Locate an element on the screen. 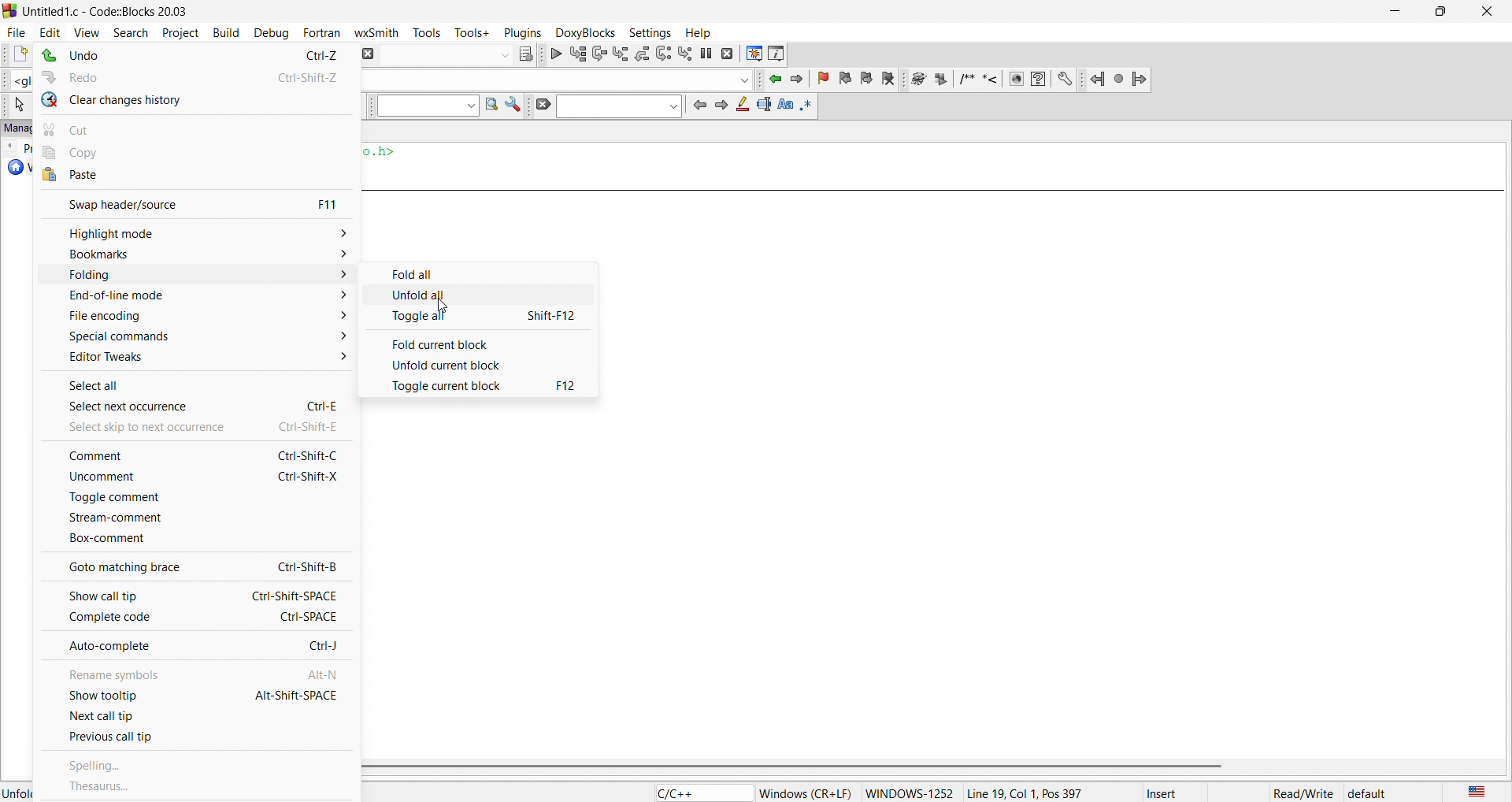 This screenshot has width=1512, height=802. paste is located at coordinates (196, 176).